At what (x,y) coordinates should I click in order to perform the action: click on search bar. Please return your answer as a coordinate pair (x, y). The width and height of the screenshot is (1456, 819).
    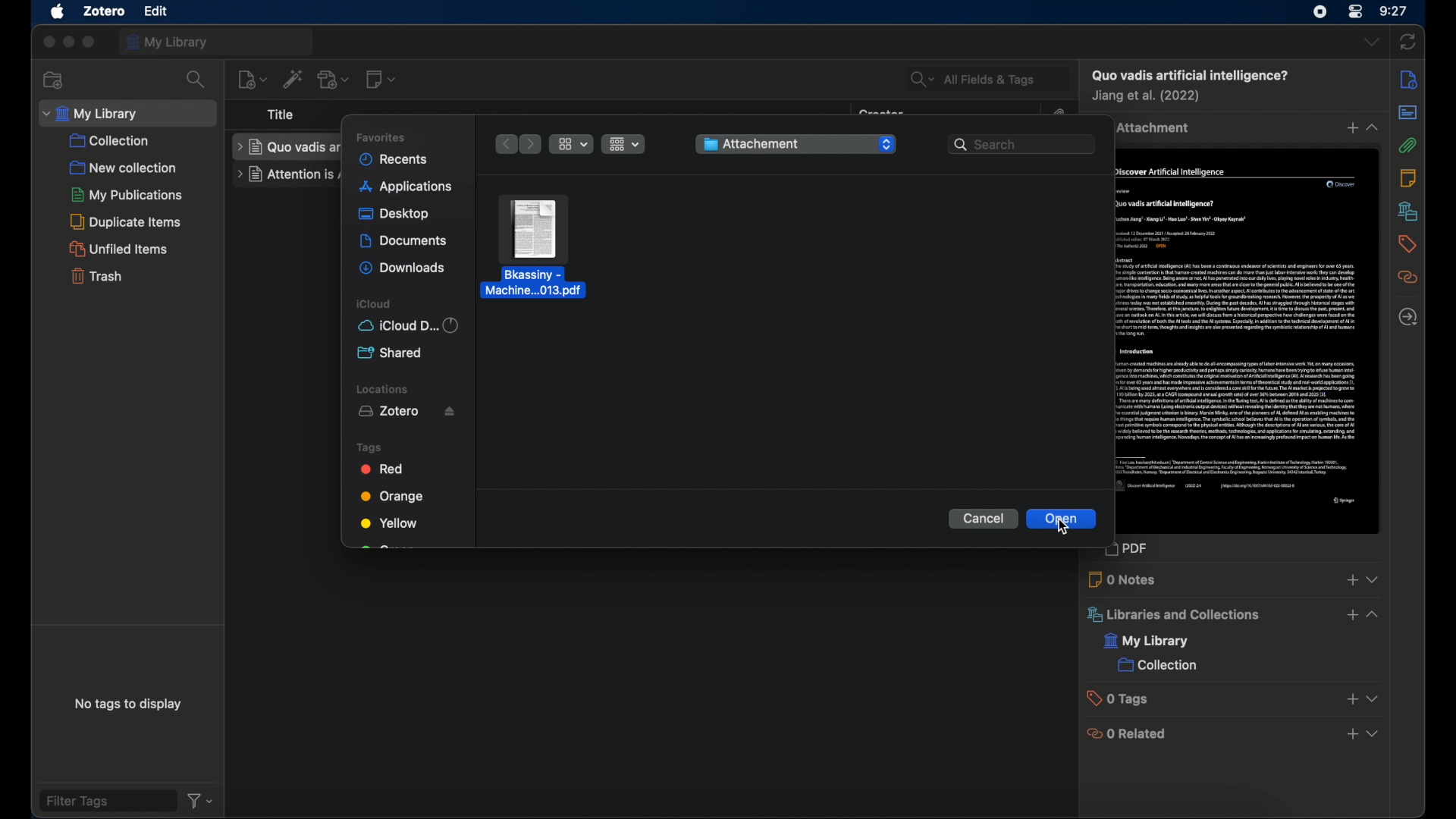
    Looking at the image, I should click on (1021, 143).